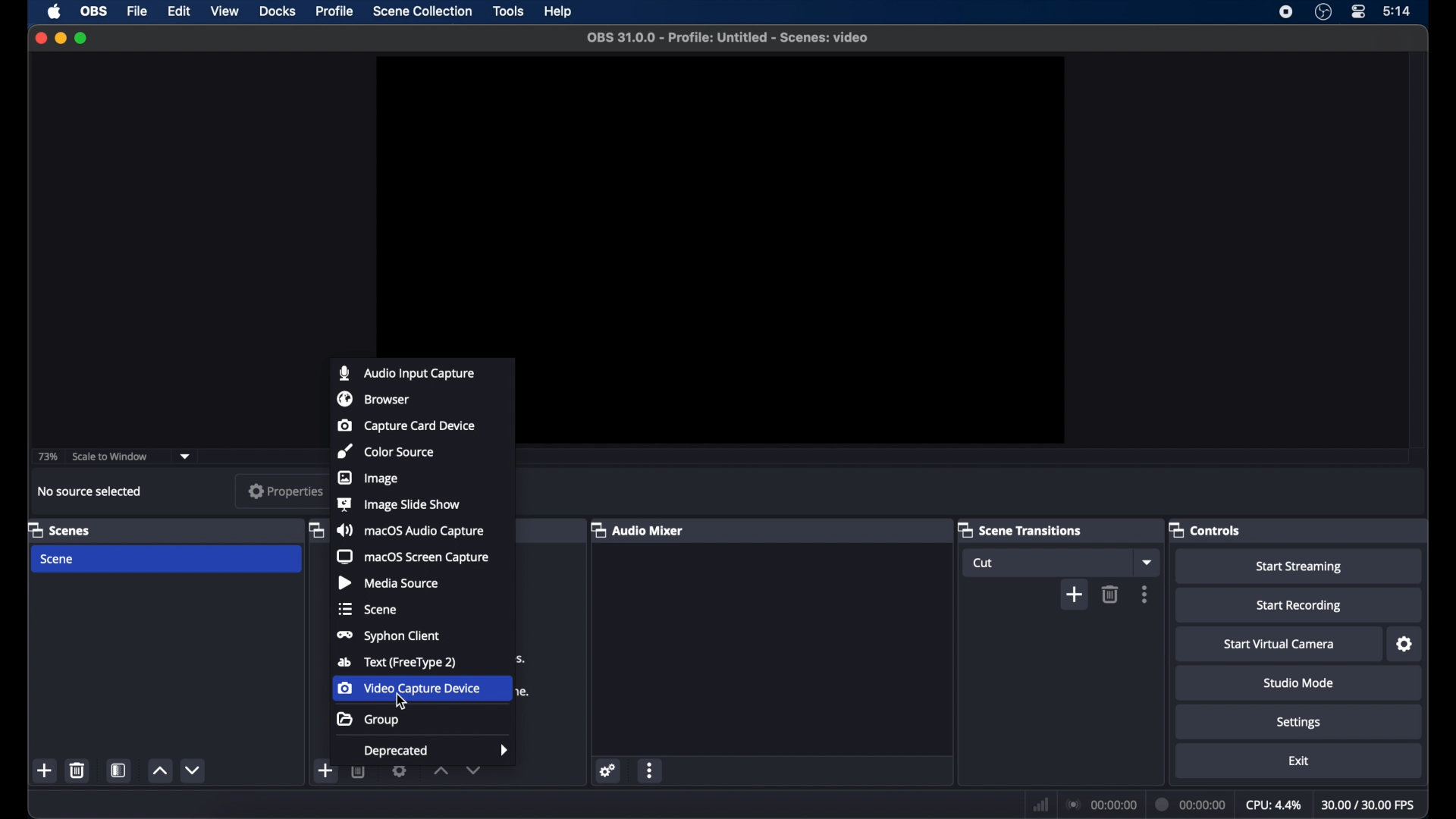 Image resolution: width=1456 pixels, height=819 pixels. What do you see at coordinates (1110, 595) in the screenshot?
I see `delete` at bounding box center [1110, 595].